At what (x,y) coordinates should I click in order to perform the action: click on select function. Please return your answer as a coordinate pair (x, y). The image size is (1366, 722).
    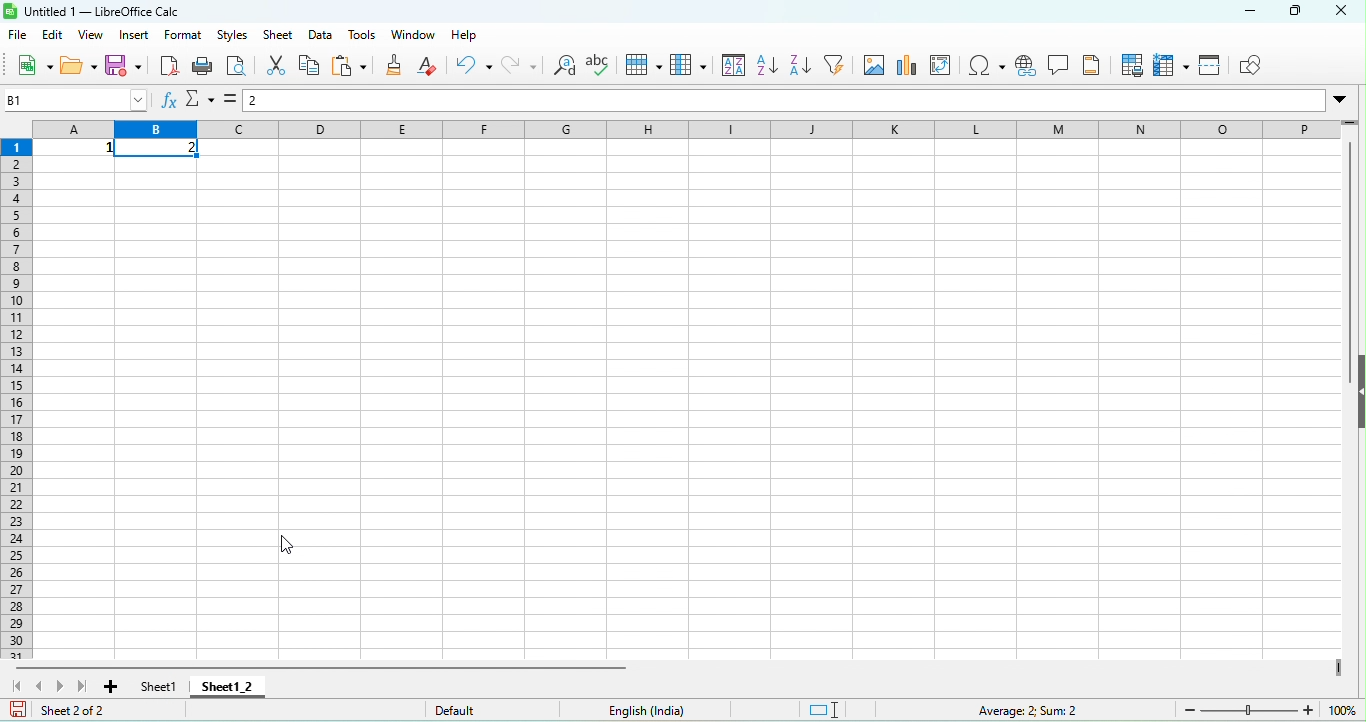
    Looking at the image, I should click on (199, 102).